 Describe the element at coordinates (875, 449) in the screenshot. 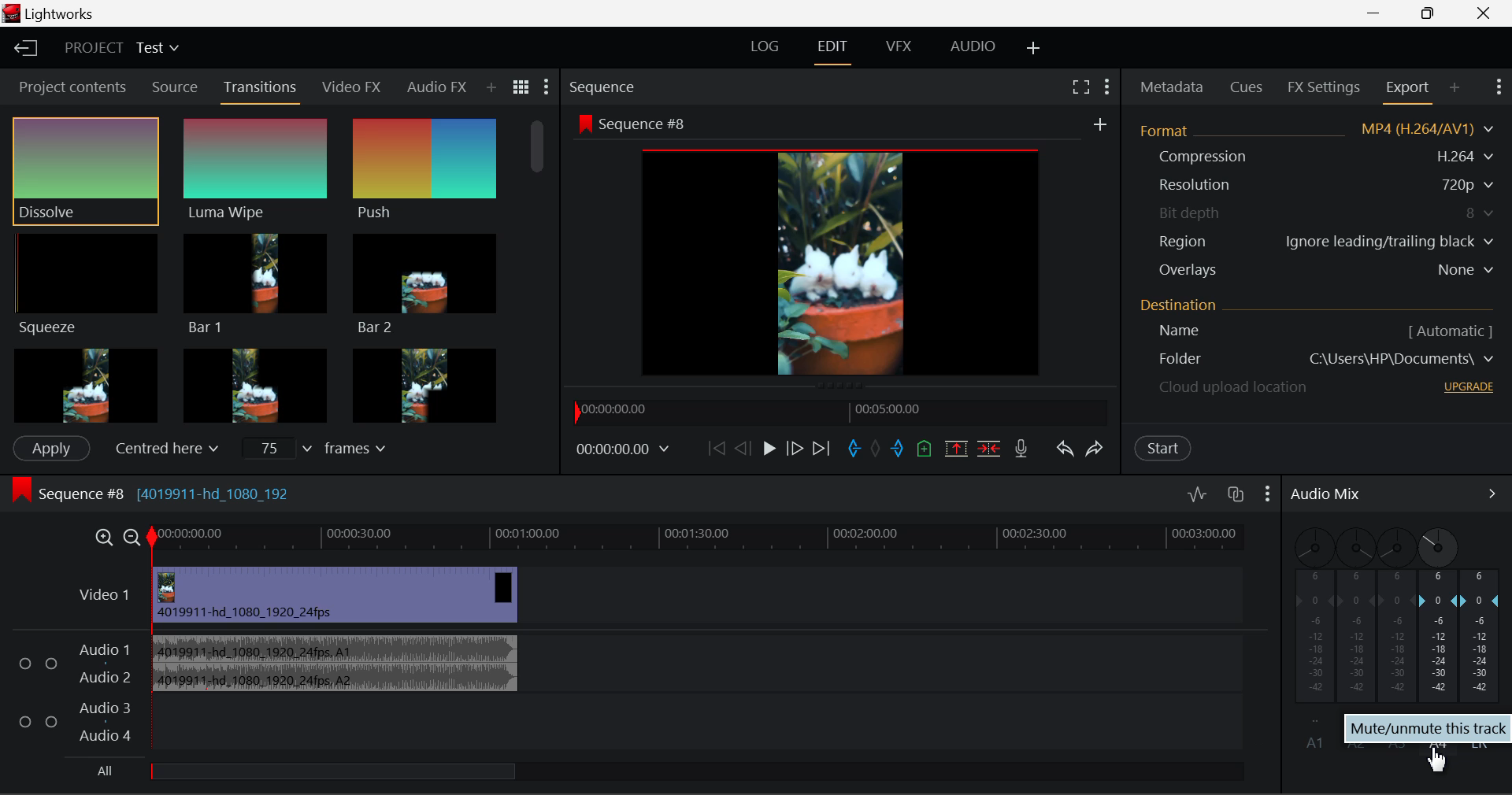

I see `Remove all marks` at that location.